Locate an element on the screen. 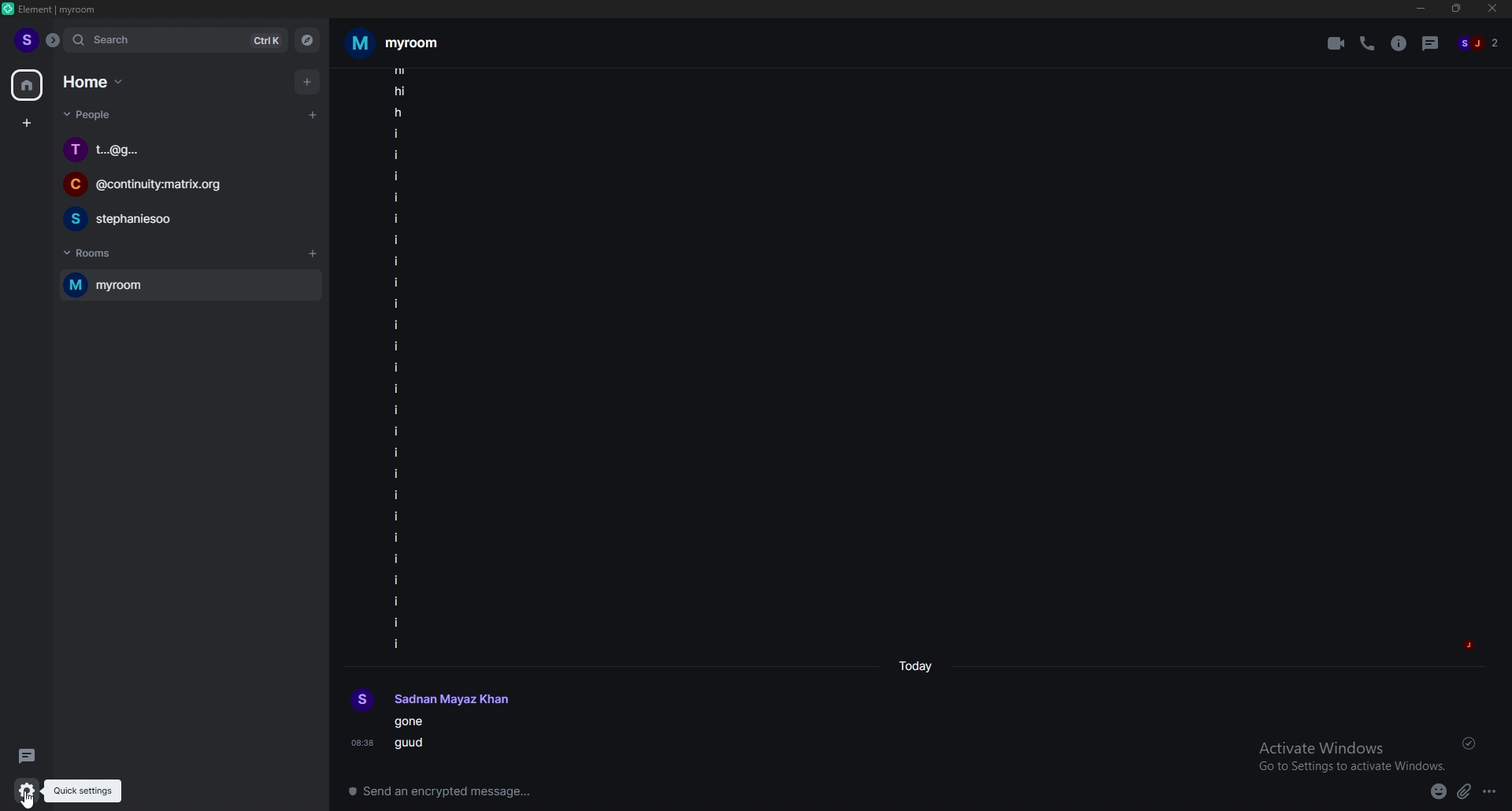 The height and width of the screenshot is (811, 1512). Activate Windows is located at coordinates (1346, 754).